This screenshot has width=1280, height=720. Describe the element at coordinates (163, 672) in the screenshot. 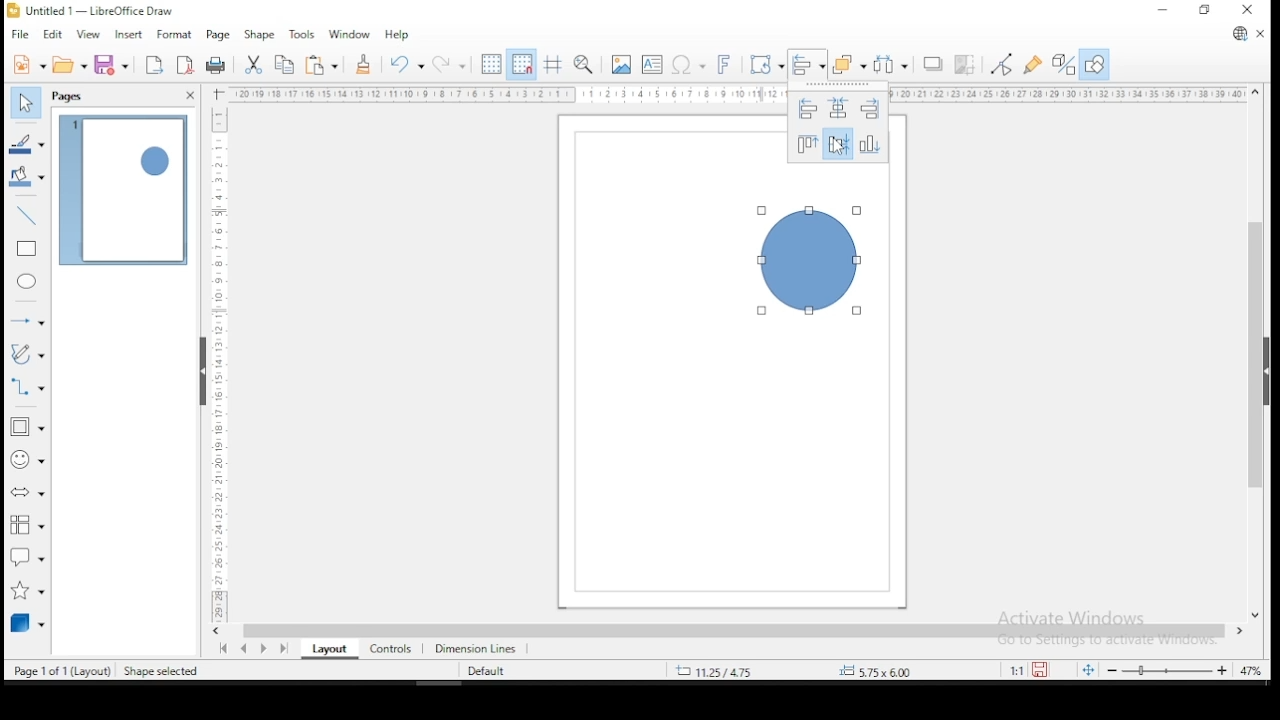

I see `shape selected` at that location.